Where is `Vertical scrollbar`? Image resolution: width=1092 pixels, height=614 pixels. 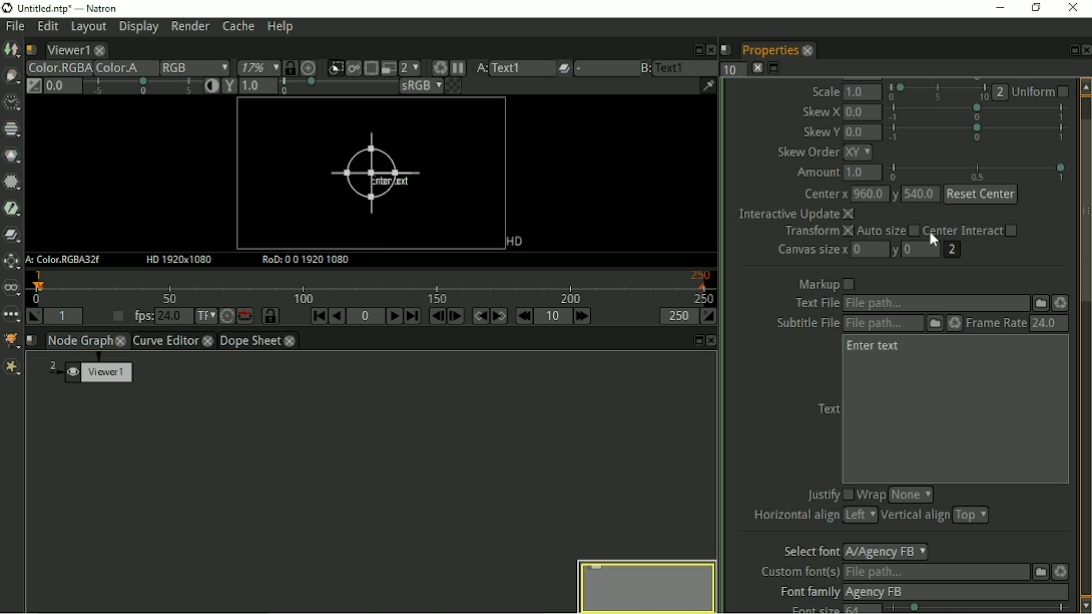
Vertical scrollbar is located at coordinates (1085, 345).